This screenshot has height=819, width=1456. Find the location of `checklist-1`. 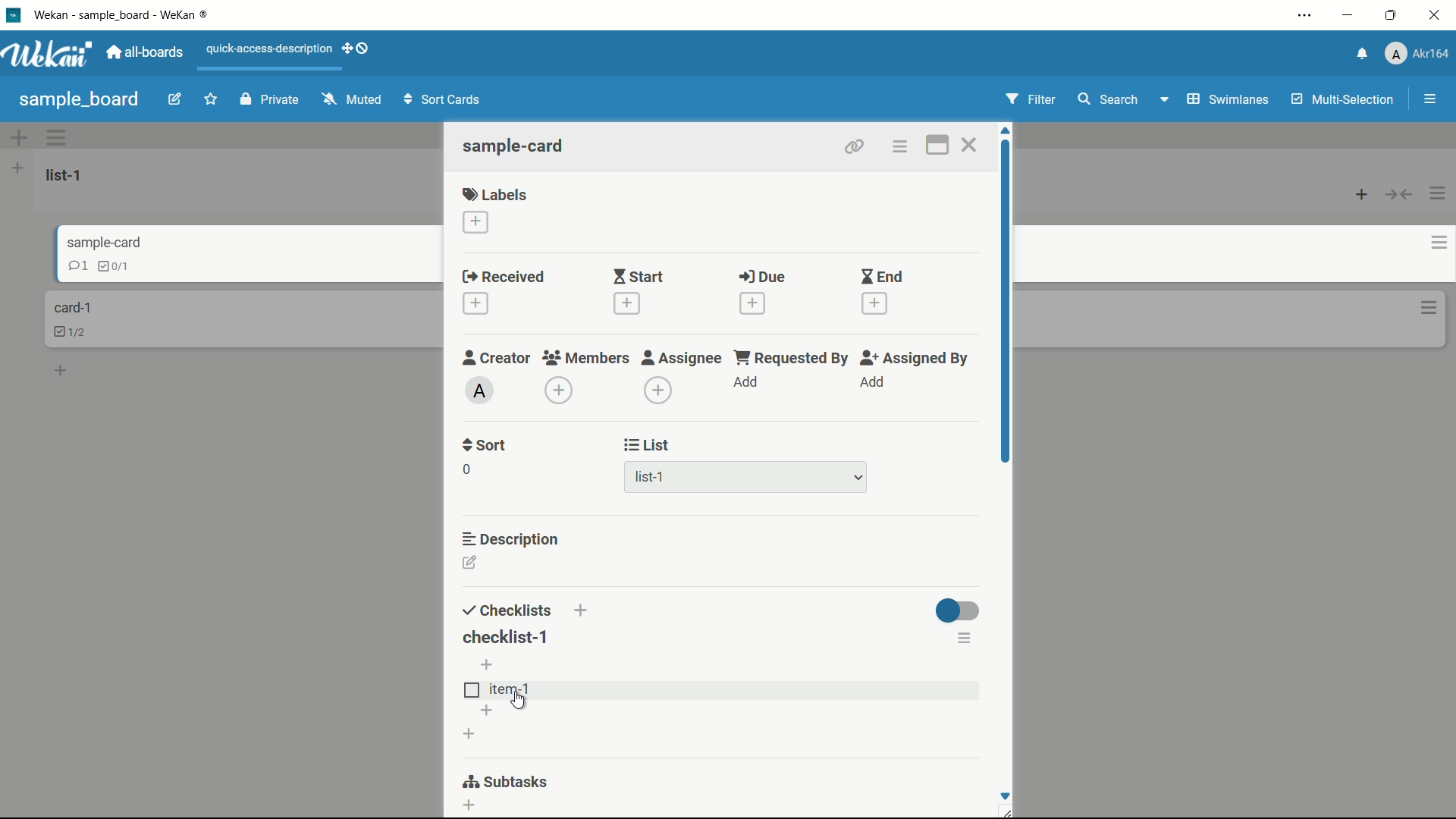

checklist-1 is located at coordinates (506, 637).